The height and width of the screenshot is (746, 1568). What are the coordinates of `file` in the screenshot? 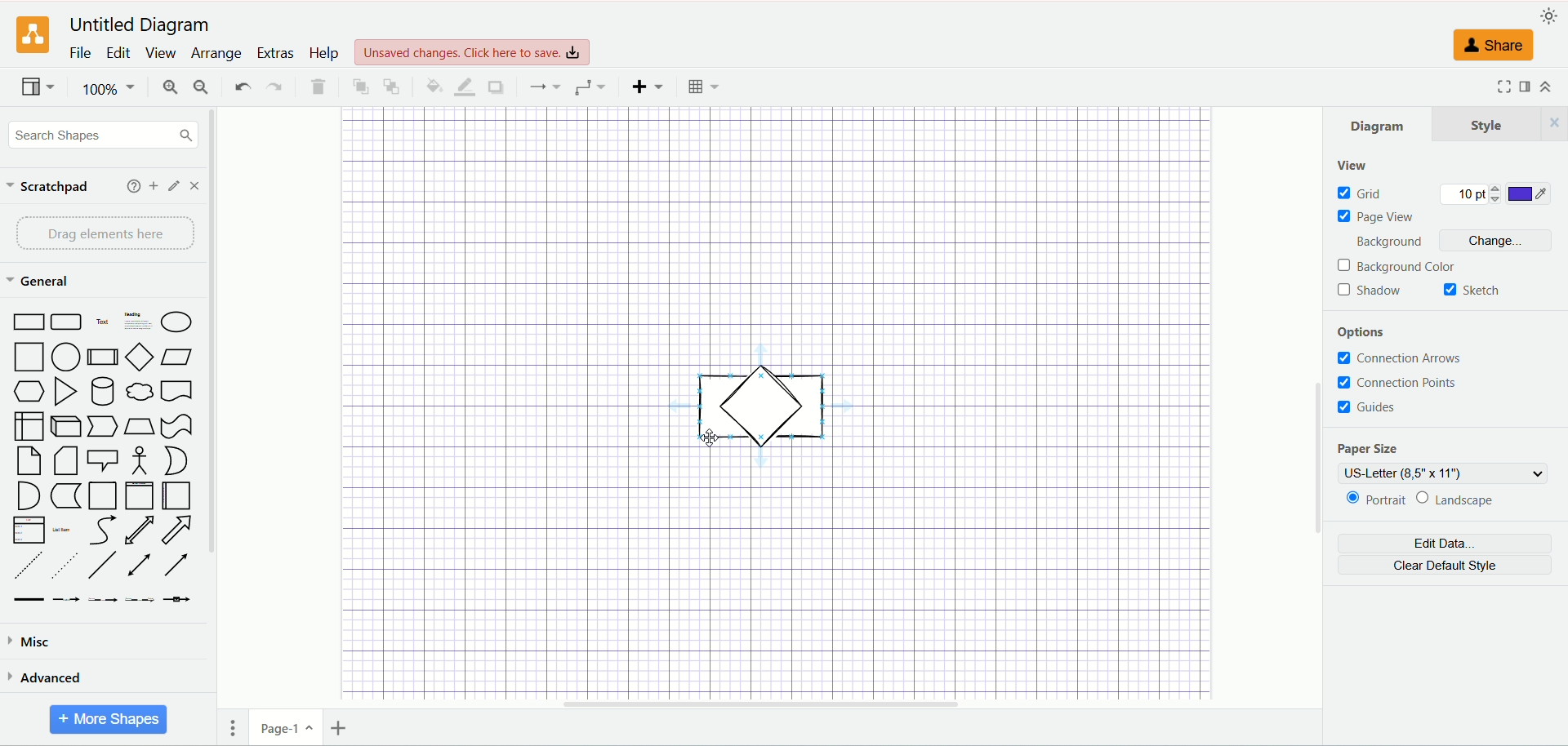 It's located at (78, 53).